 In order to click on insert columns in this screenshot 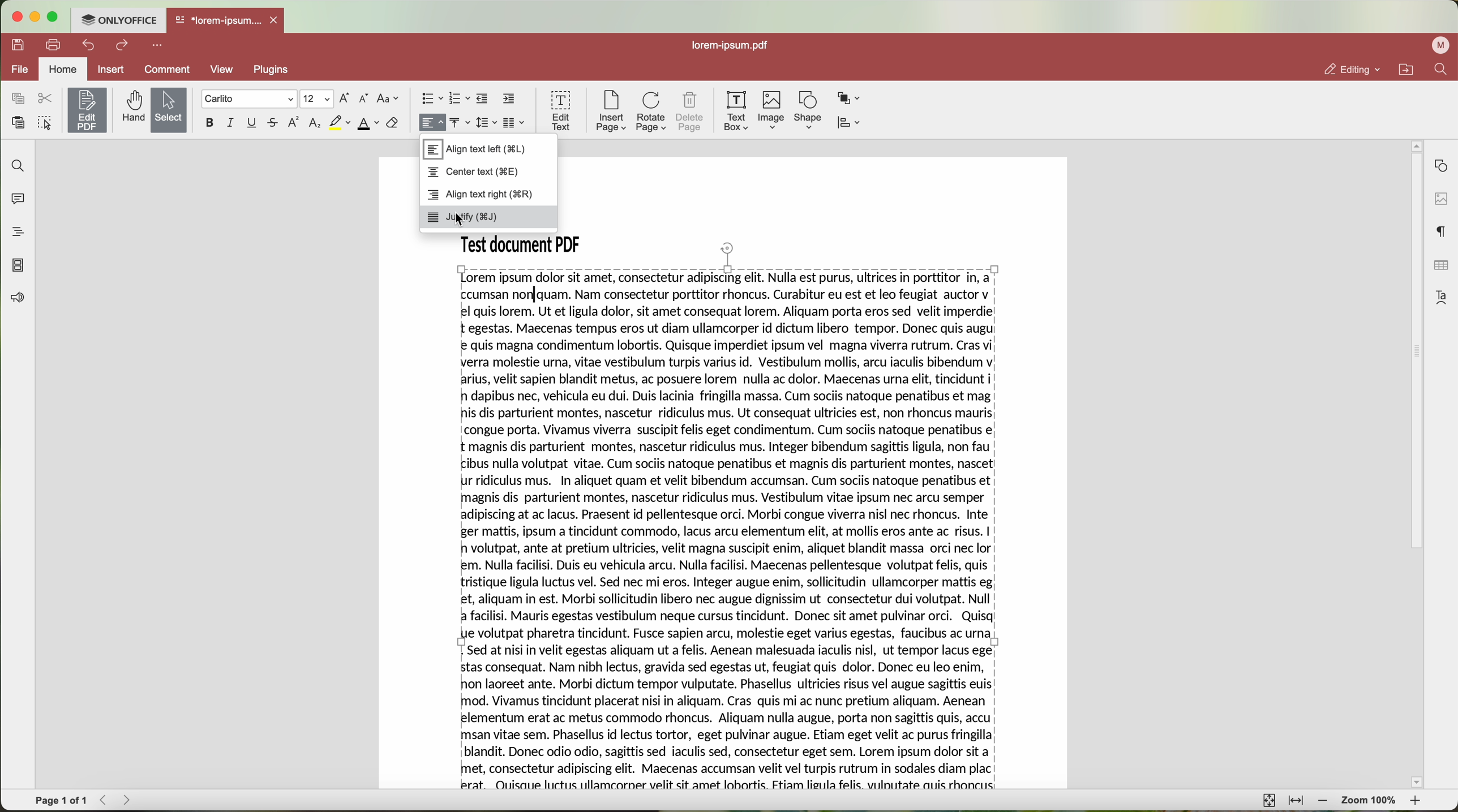, I will do `click(513, 123)`.